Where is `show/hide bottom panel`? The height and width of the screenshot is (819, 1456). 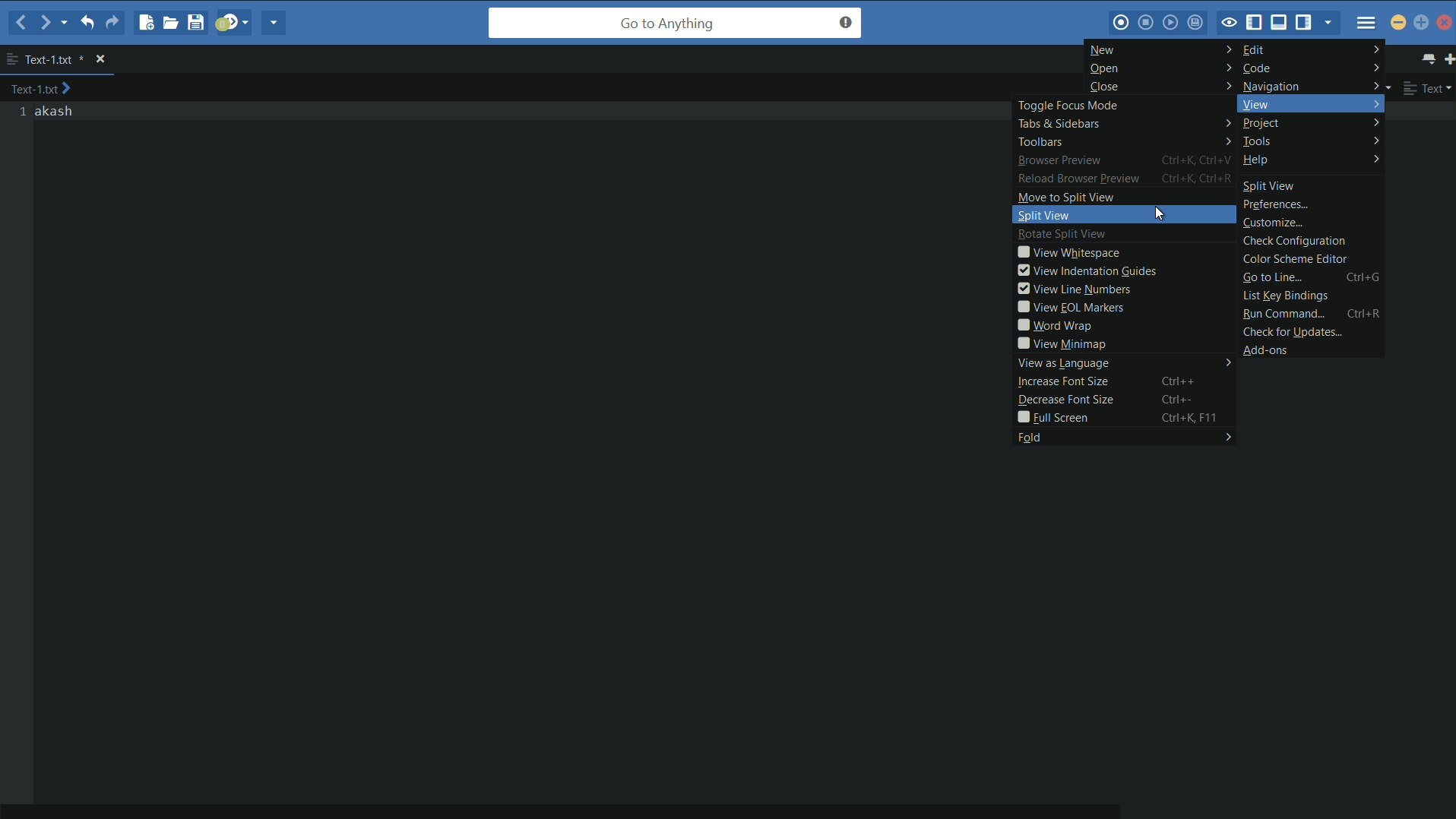
show/hide bottom panel is located at coordinates (1282, 21).